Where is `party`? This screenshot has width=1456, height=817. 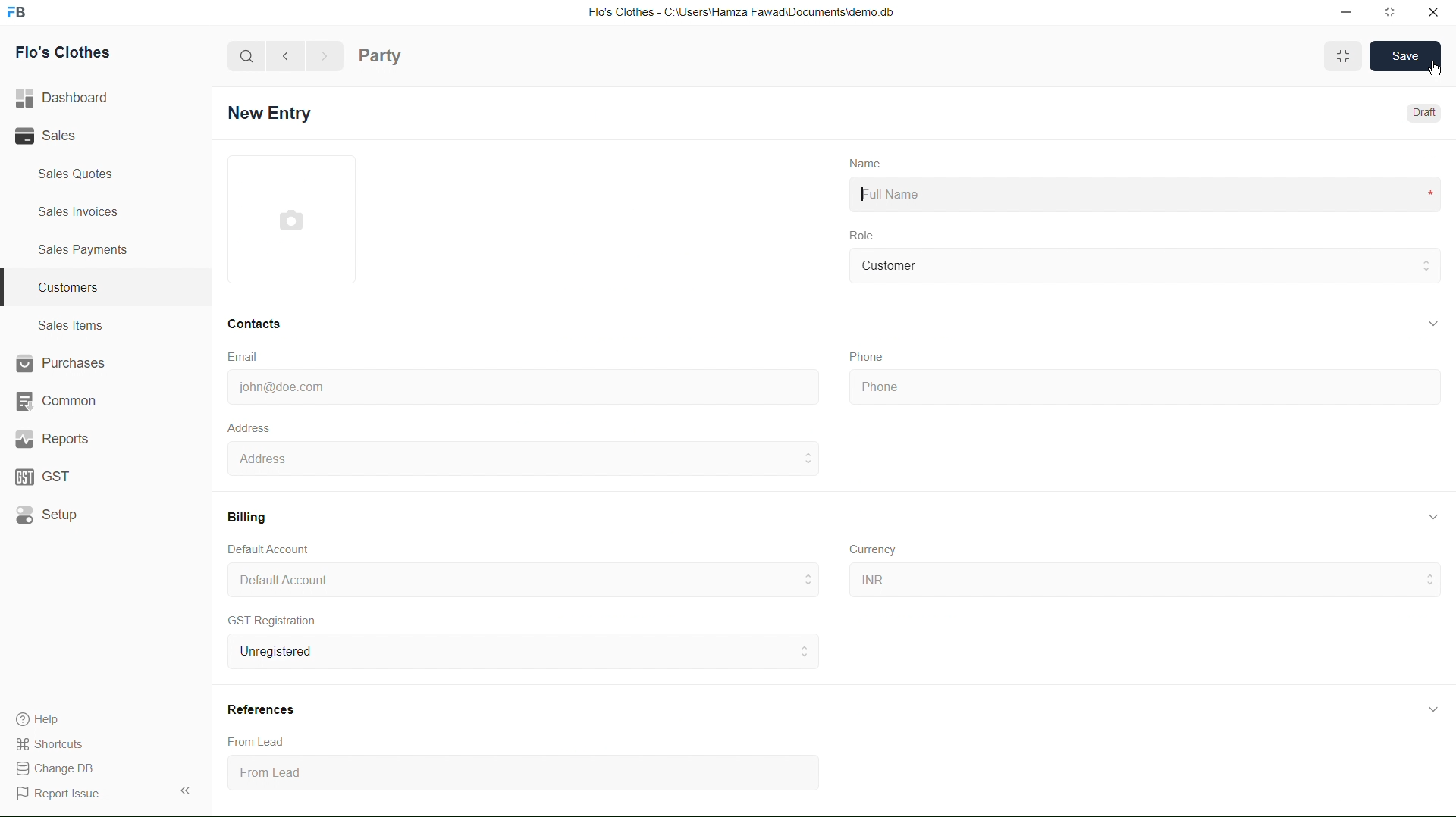 party is located at coordinates (382, 52).